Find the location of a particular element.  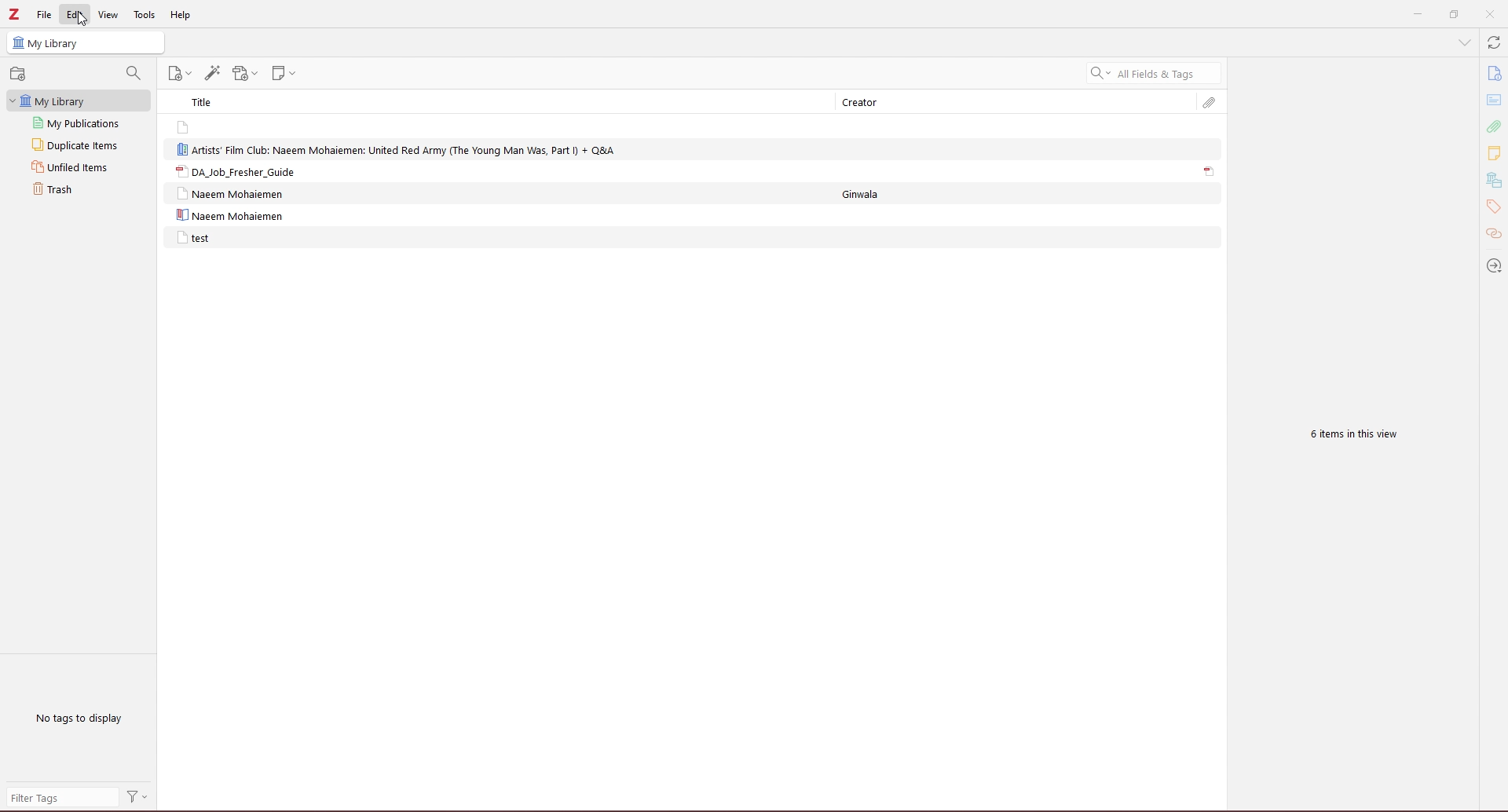

help is located at coordinates (181, 16).